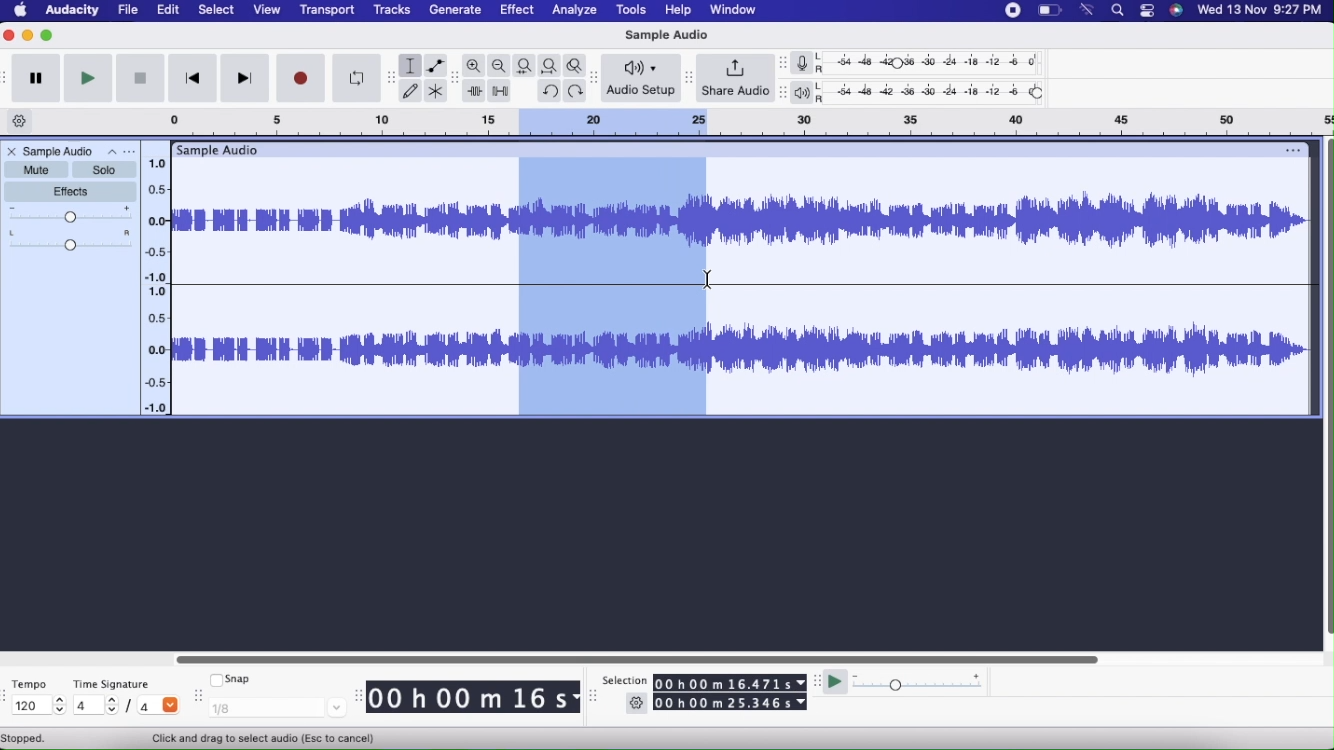  What do you see at coordinates (158, 214) in the screenshot?
I see `audio level` at bounding box center [158, 214].